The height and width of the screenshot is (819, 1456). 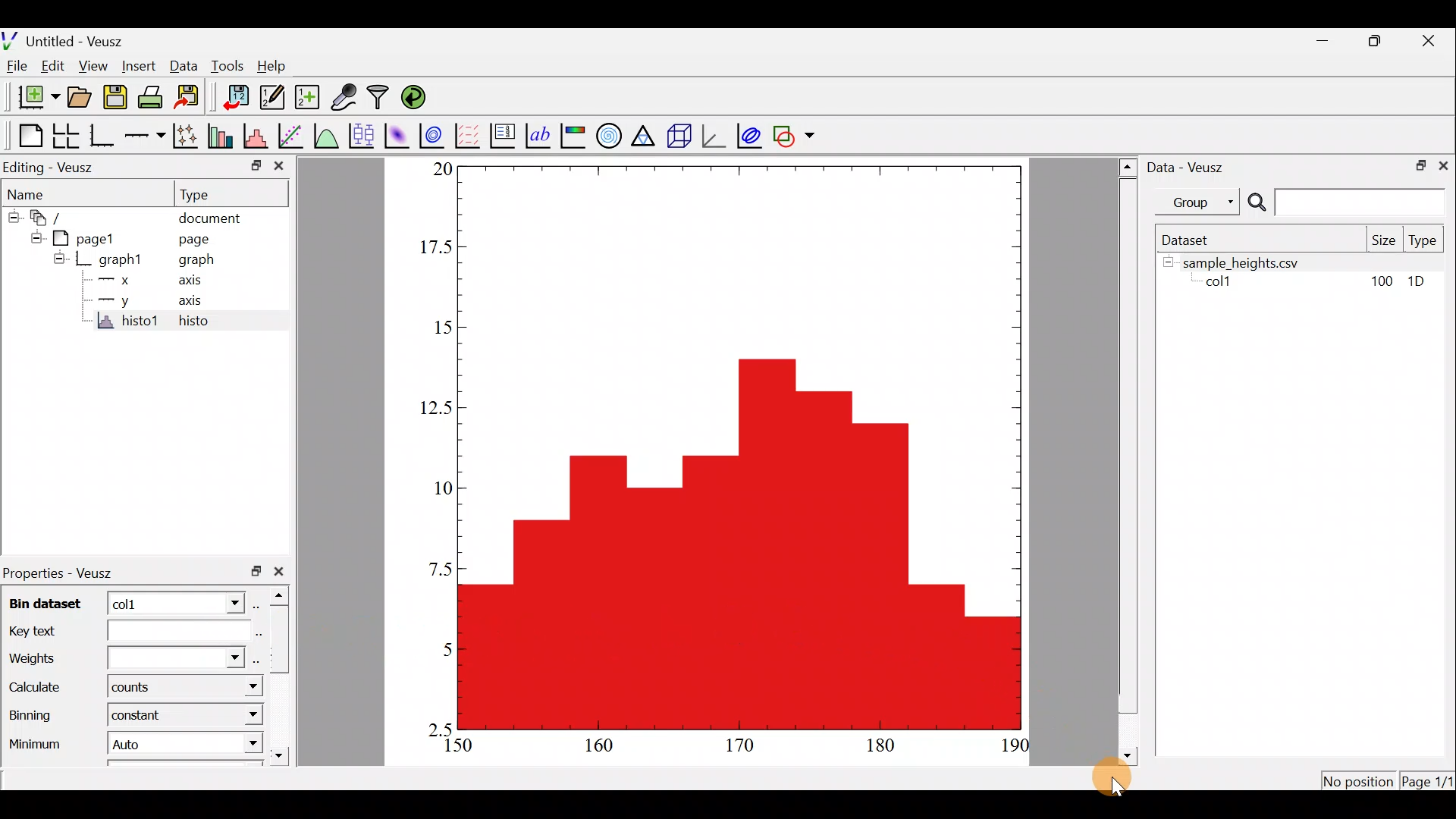 What do you see at coordinates (610, 135) in the screenshot?
I see `polar graph` at bounding box center [610, 135].